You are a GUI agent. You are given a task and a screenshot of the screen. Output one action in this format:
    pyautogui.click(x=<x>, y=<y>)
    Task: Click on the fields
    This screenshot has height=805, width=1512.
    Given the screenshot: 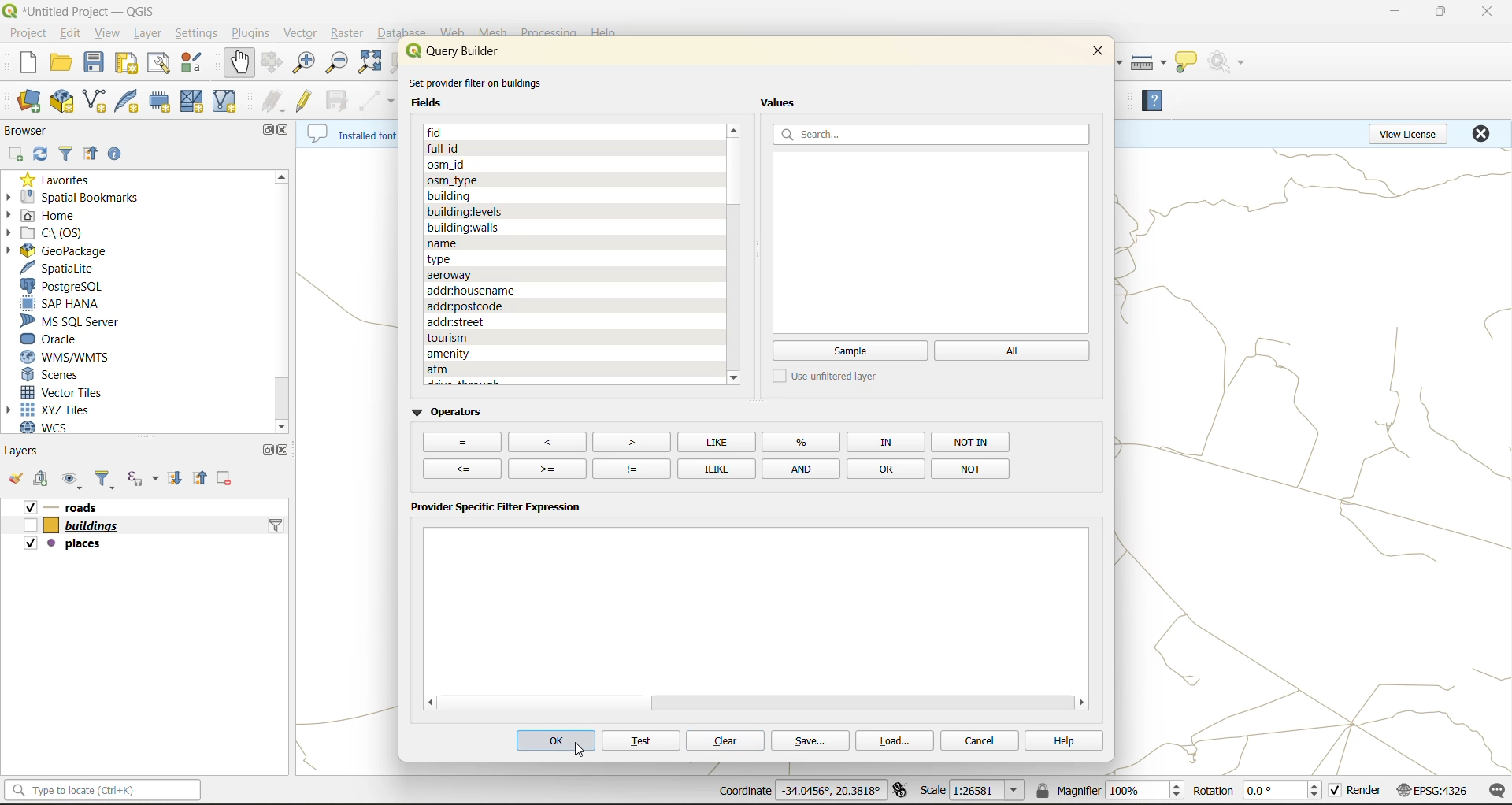 What is the action you would take?
    pyautogui.click(x=474, y=290)
    